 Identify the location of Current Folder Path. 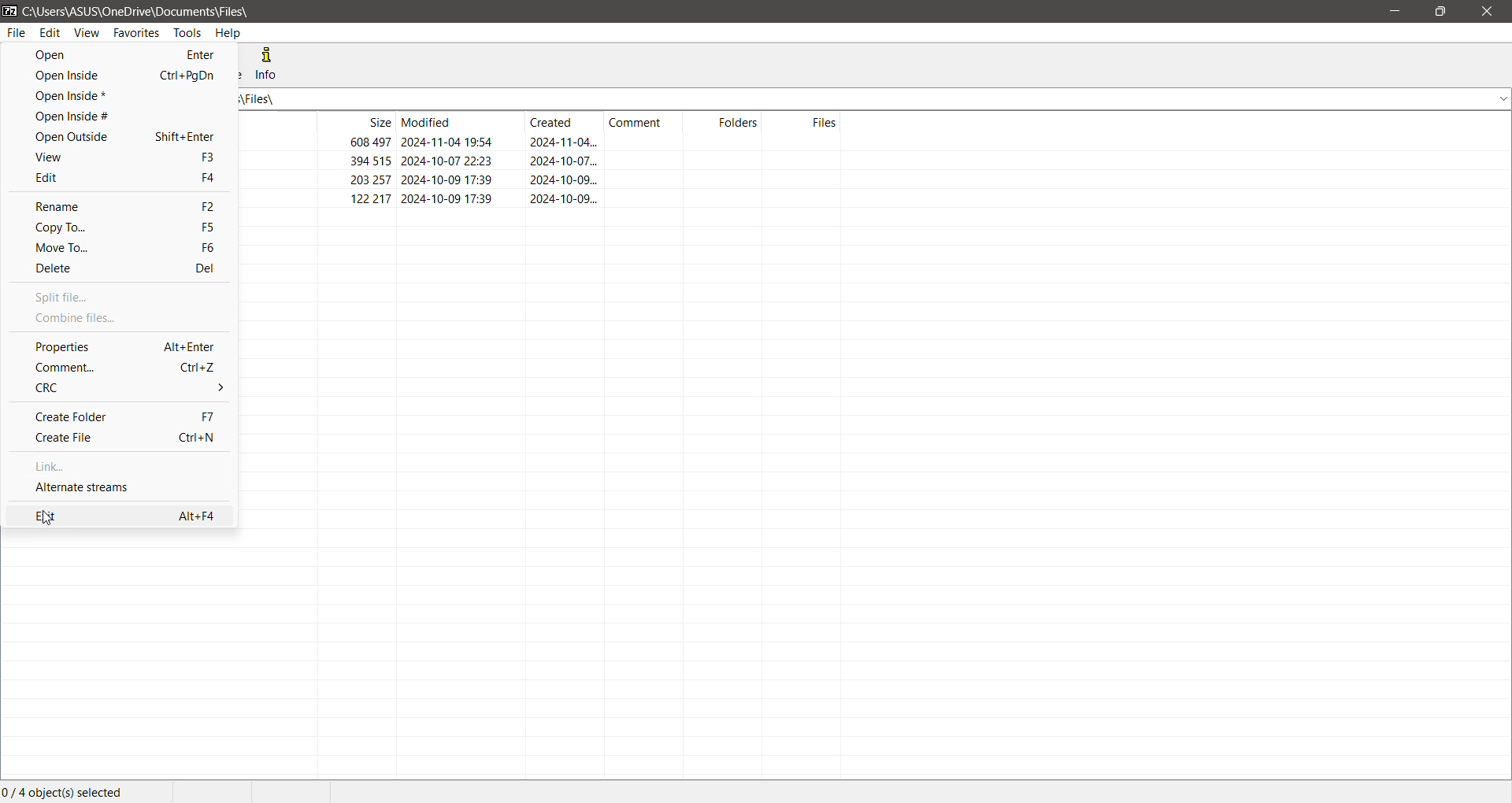
(143, 11).